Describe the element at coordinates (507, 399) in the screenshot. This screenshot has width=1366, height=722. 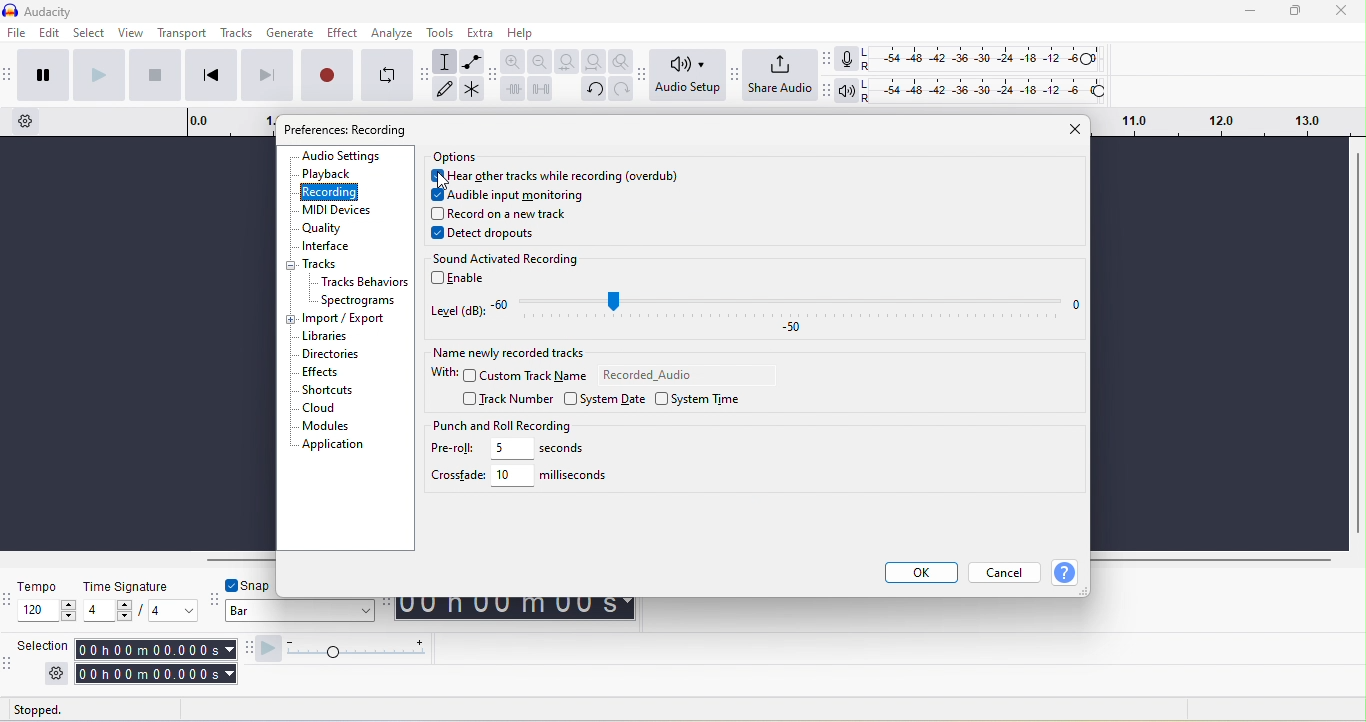
I see `track number` at that location.